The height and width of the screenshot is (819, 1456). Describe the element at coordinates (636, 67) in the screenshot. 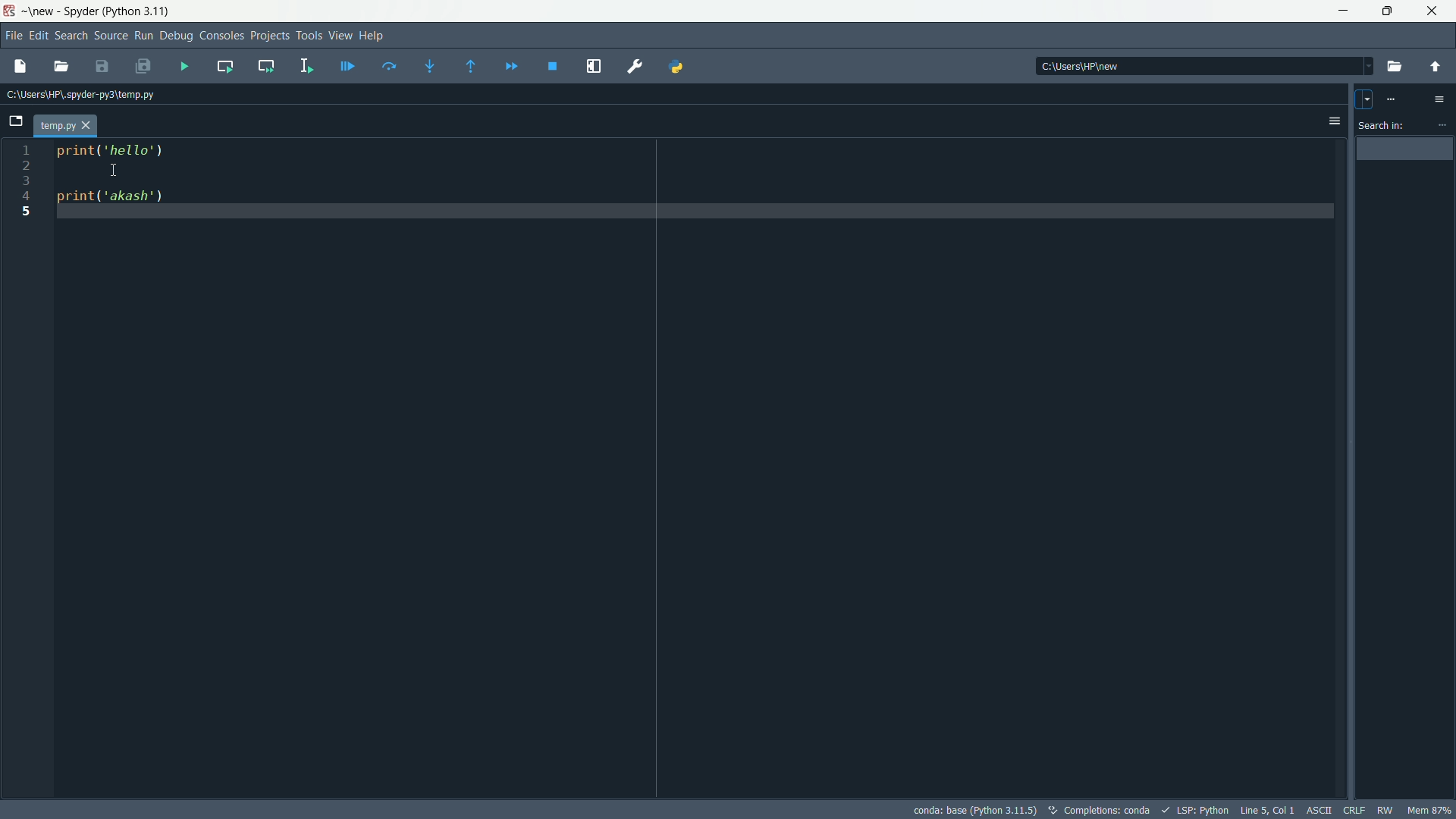

I see `preferences` at that location.